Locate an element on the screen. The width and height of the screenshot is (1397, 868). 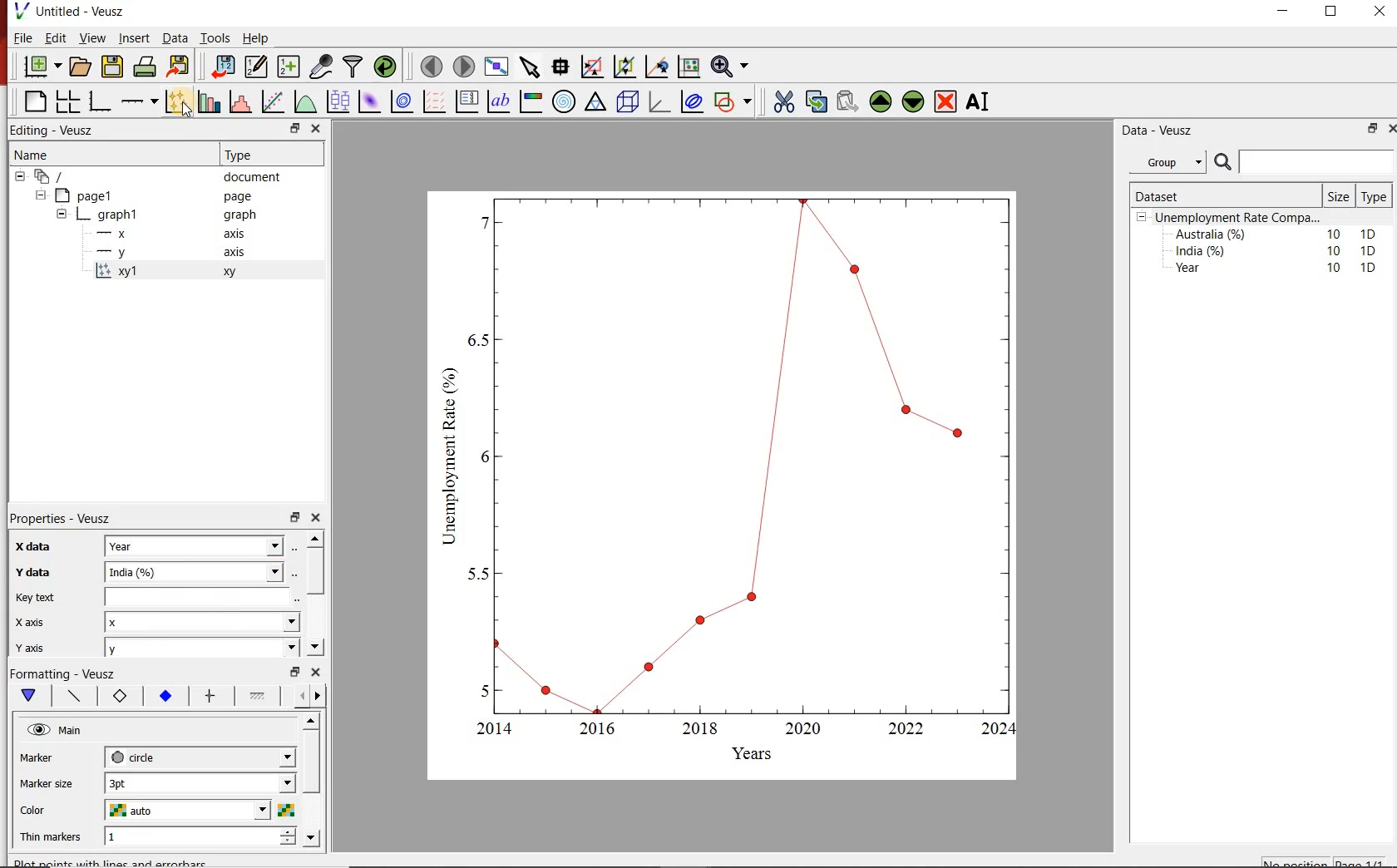
move down is located at coordinates (314, 646).